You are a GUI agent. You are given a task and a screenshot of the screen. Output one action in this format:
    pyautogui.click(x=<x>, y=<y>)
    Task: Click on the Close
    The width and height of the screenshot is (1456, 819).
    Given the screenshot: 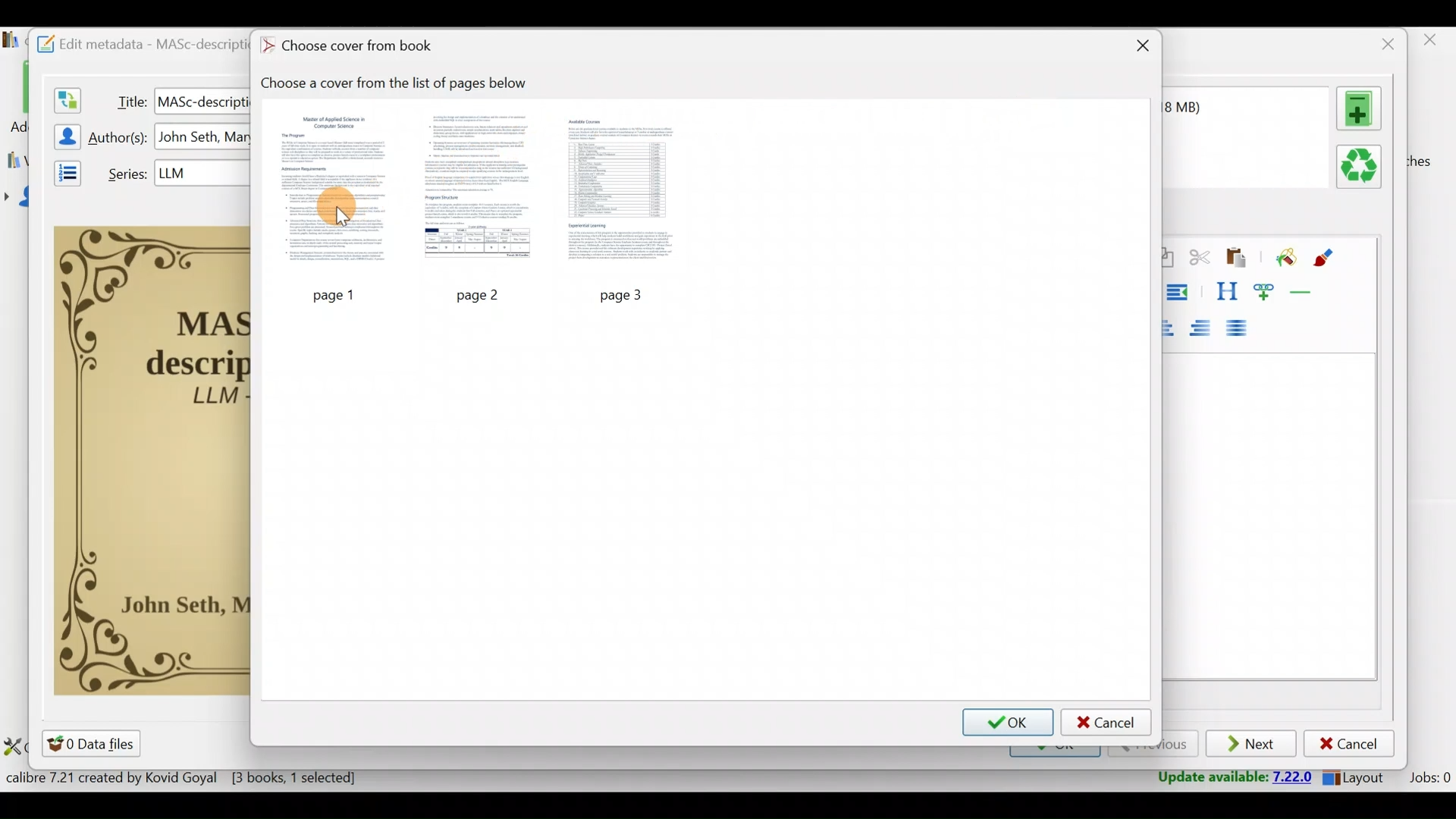 What is the action you would take?
    pyautogui.click(x=1384, y=44)
    